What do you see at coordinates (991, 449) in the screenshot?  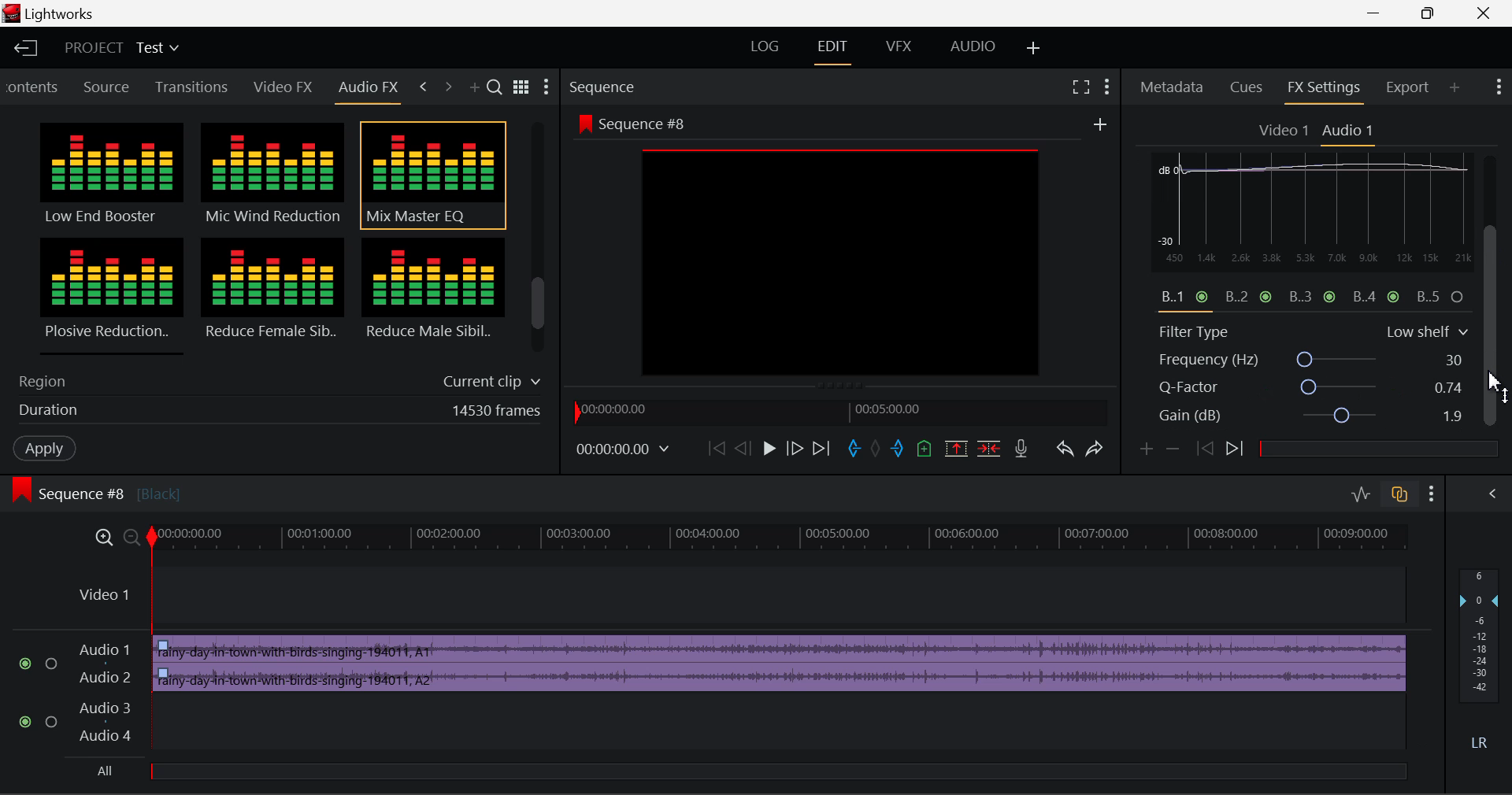 I see `Delete/Cut` at bounding box center [991, 449].